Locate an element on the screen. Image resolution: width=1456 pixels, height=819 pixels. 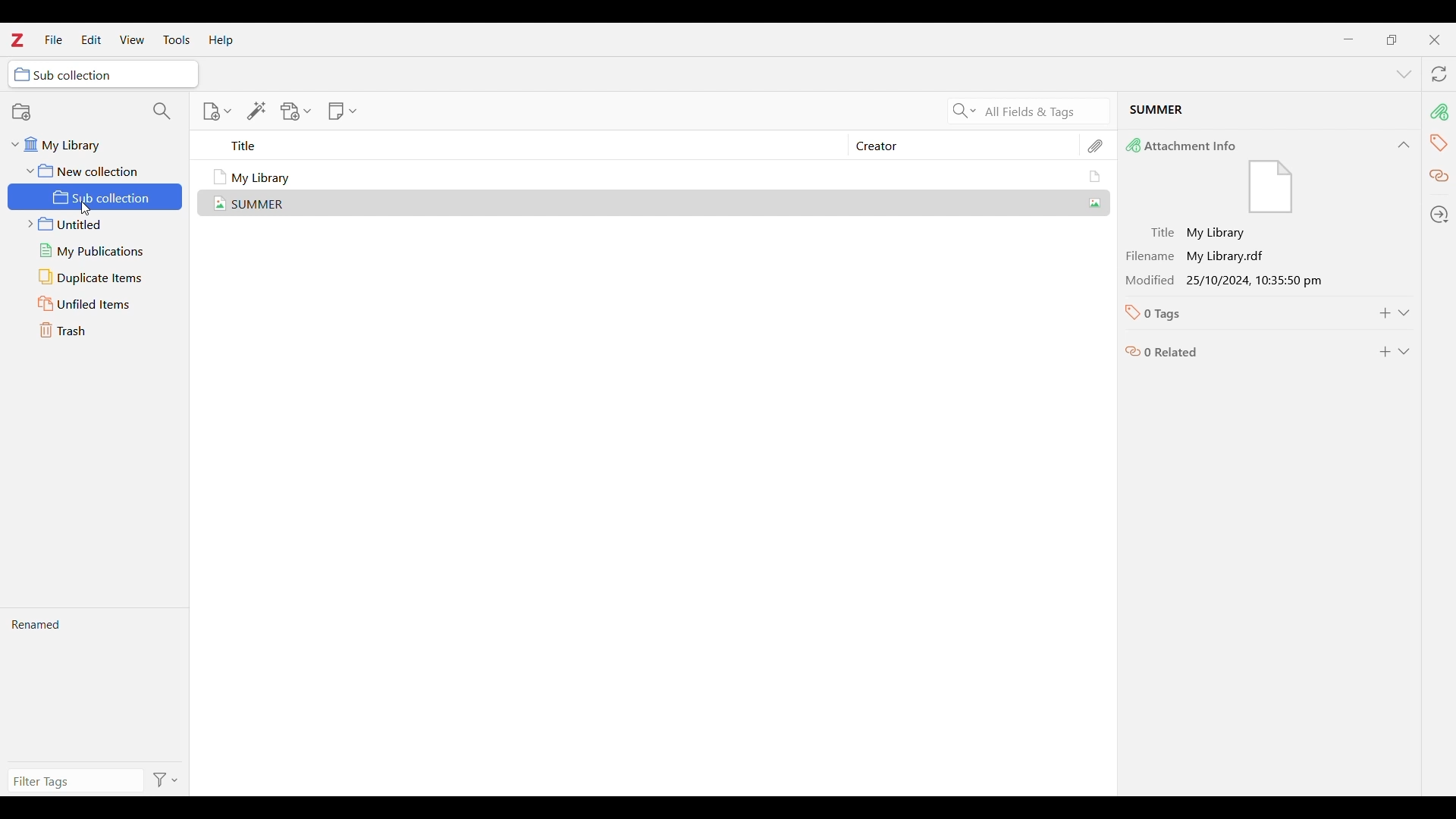
Current search criteria is located at coordinates (1043, 111).